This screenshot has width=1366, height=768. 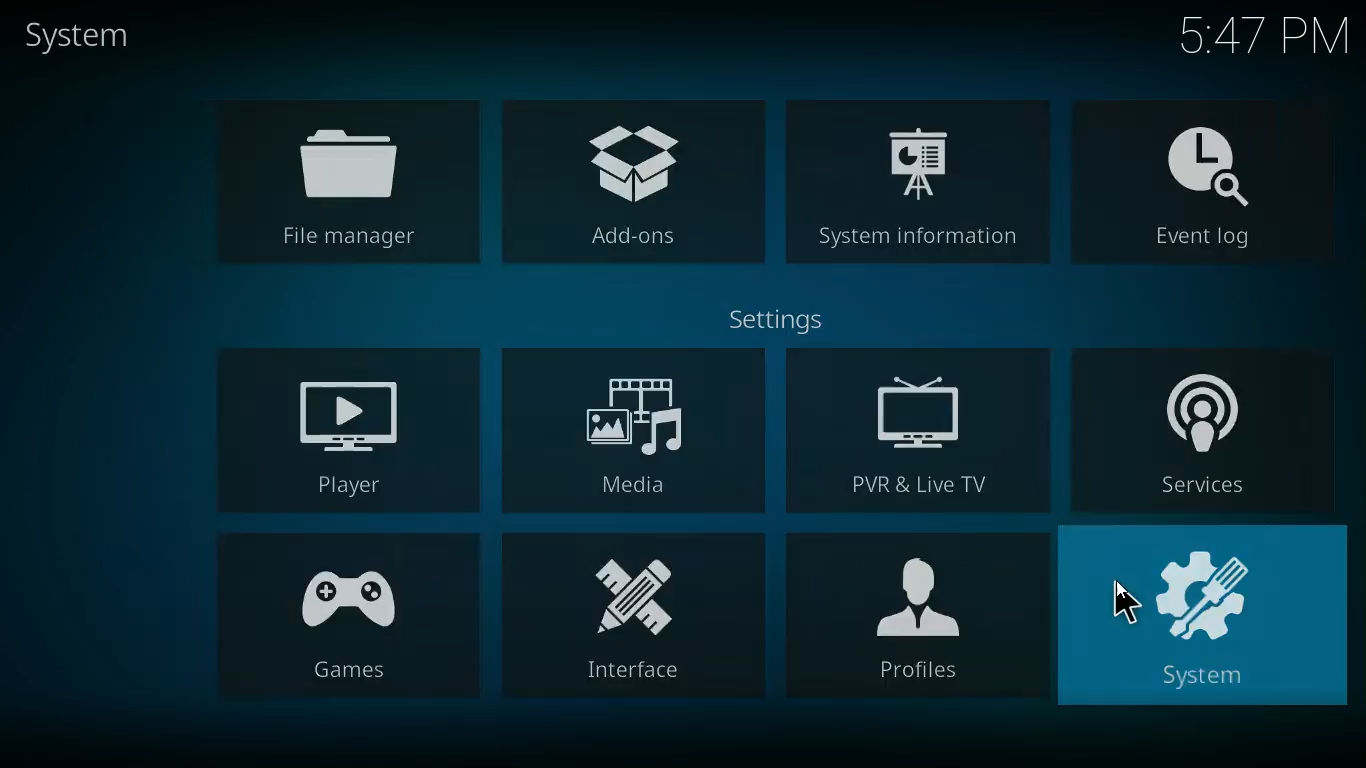 What do you see at coordinates (1214, 431) in the screenshot?
I see `services` at bounding box center [1214, 431].